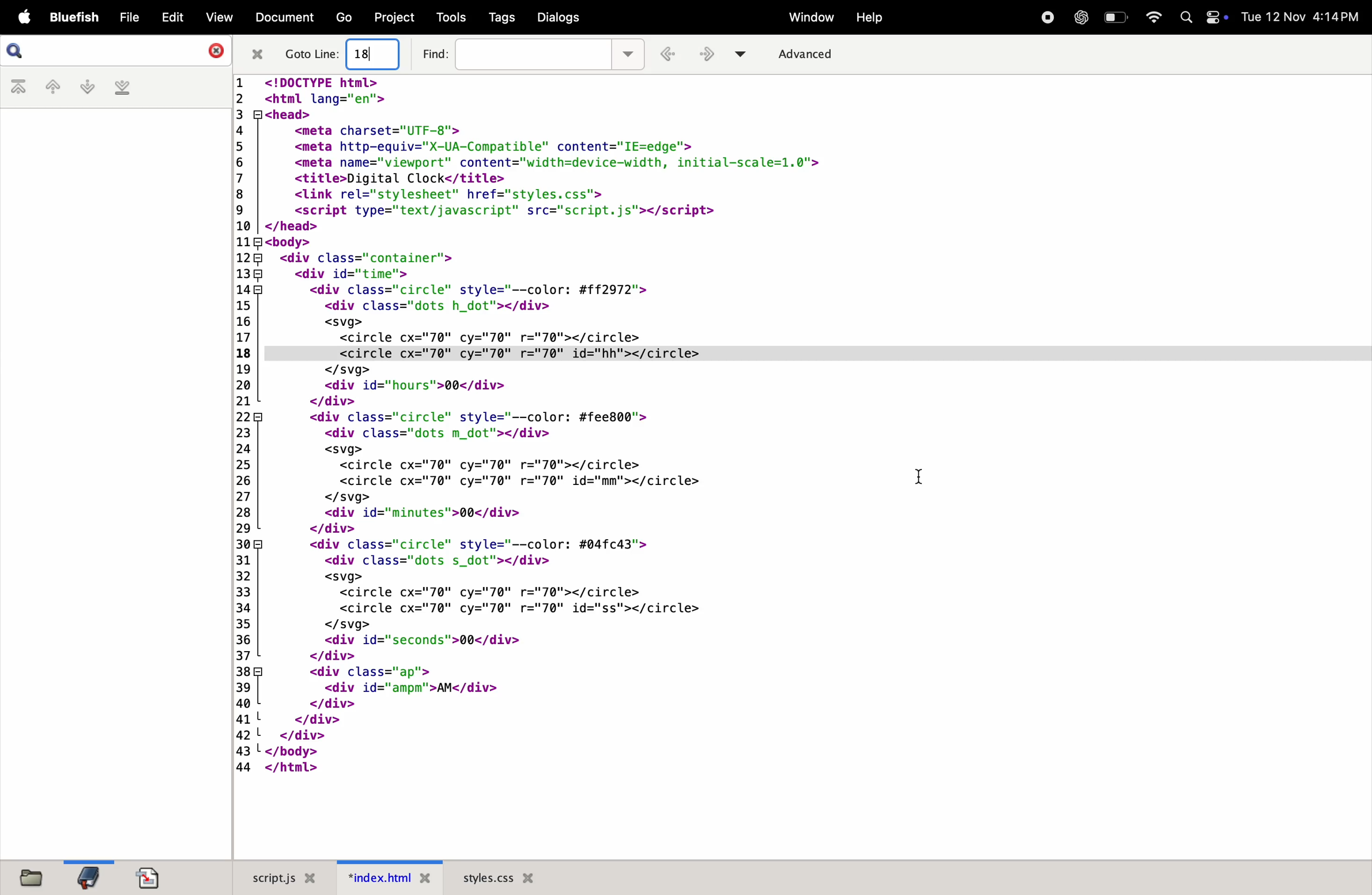  What do you see at coordinates (390, 878) in the screenshot?
I see `index.html` at bounding box center [390, 878].